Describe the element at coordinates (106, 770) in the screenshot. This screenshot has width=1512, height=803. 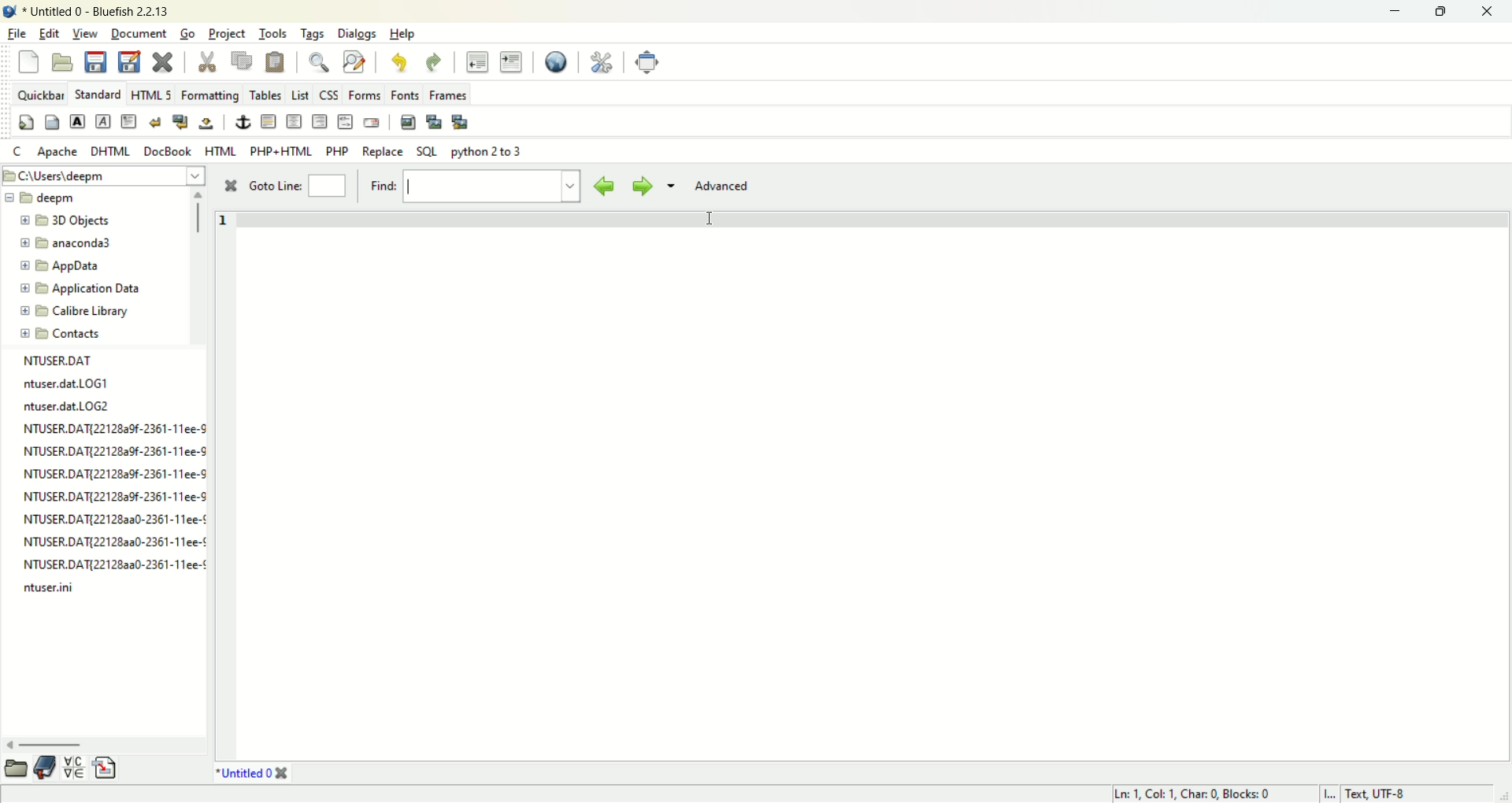
I see `snippet` at that location.